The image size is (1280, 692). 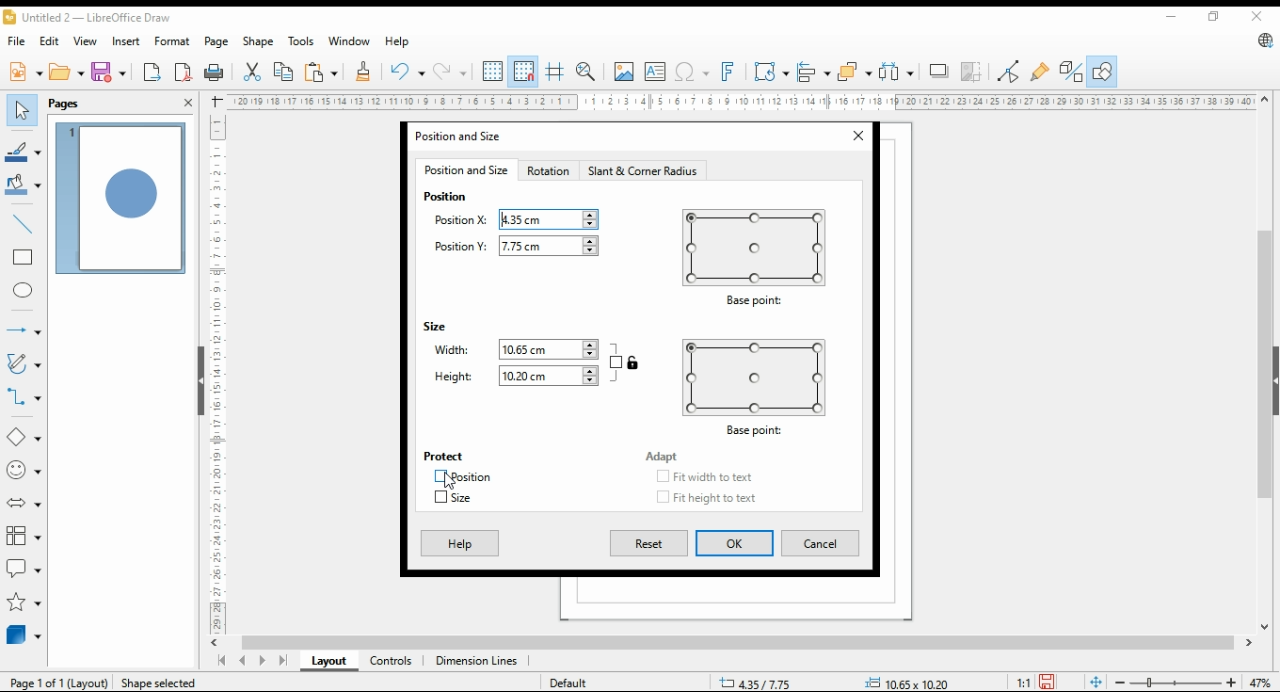 I want to click on paste, so click(x=321, y=73).